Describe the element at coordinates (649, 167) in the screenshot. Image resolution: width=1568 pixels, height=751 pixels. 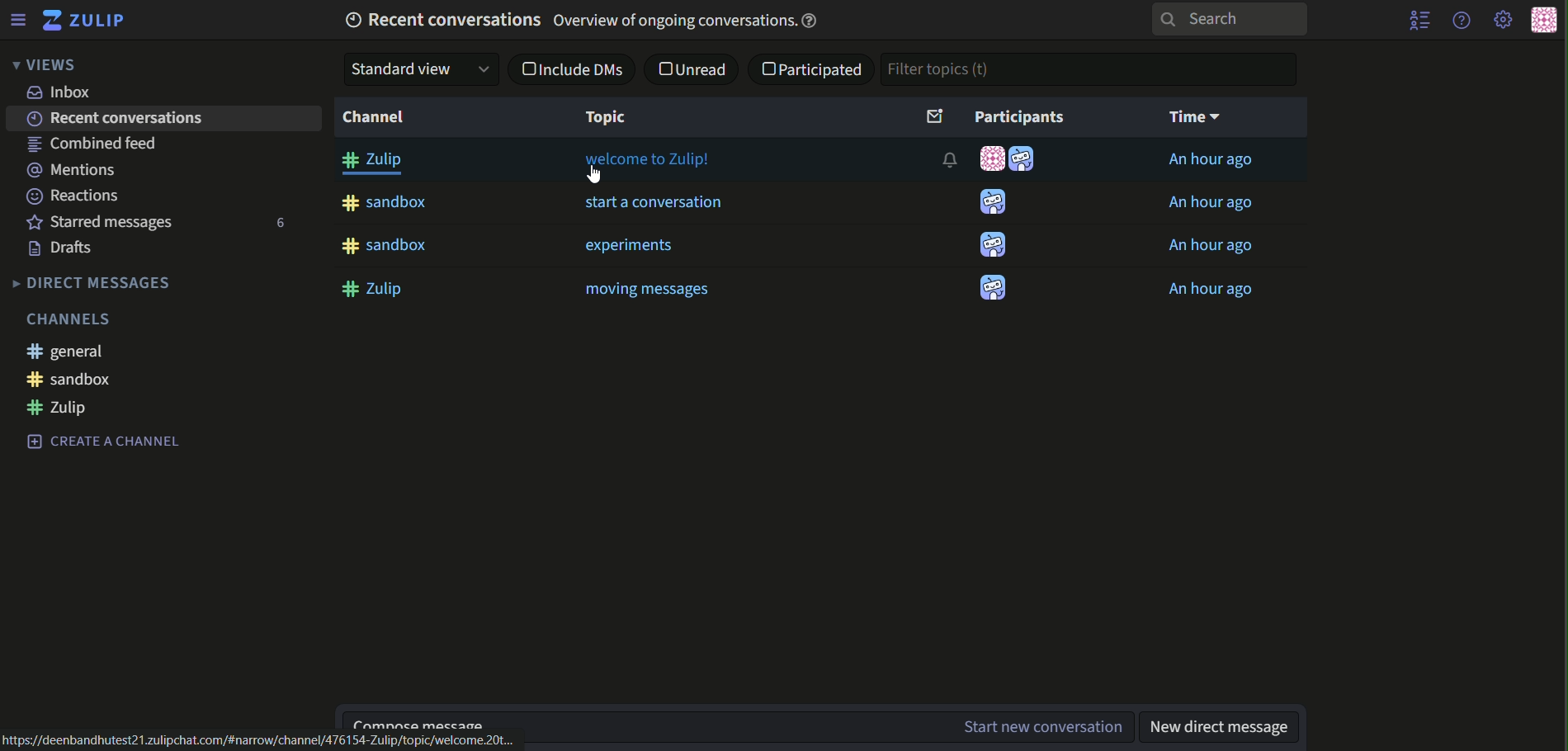
I see `text` at that location.